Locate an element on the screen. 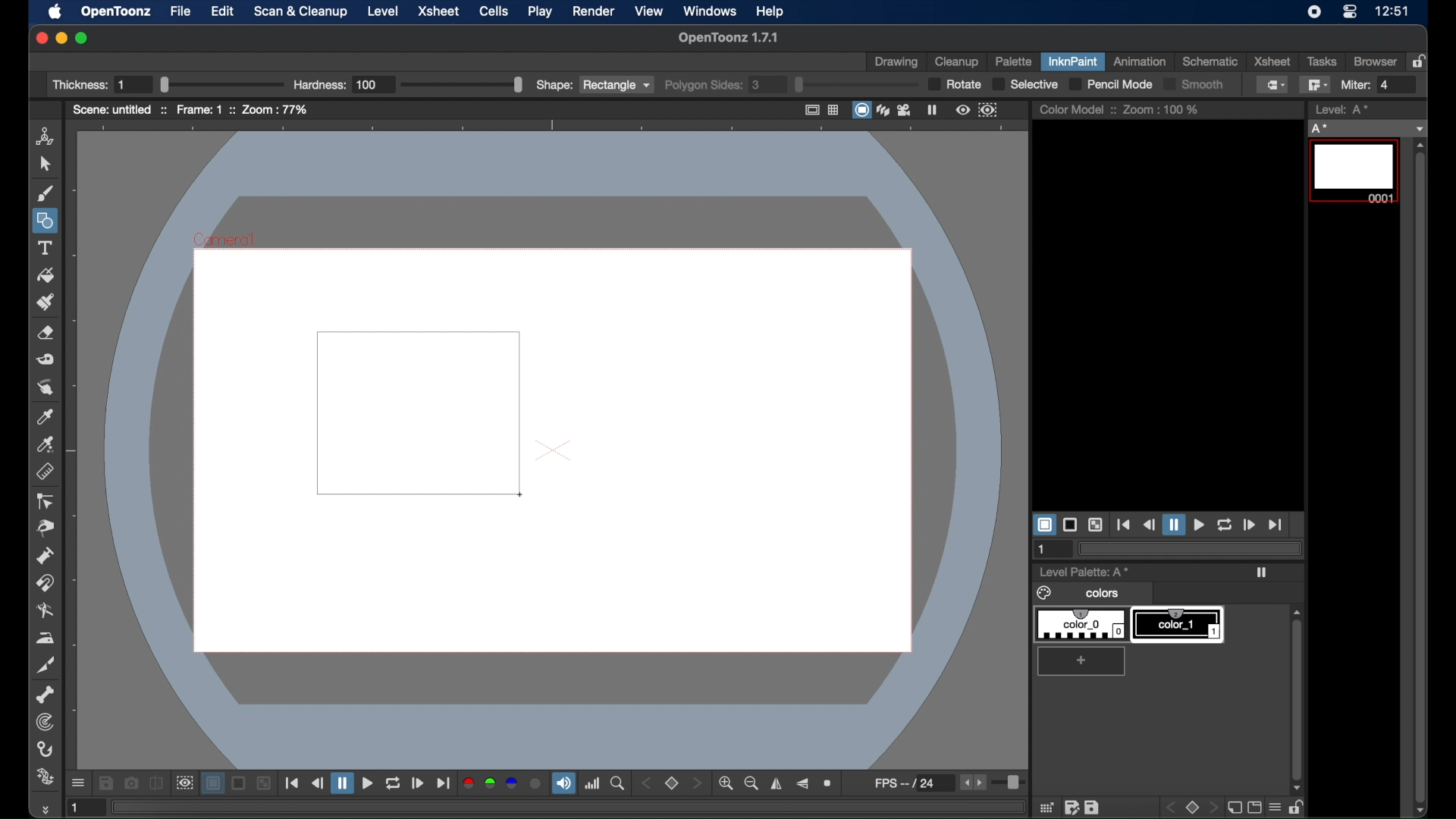 This screenshot has height=819, width=1456. jump to start is located at coordinates (1124, 525).